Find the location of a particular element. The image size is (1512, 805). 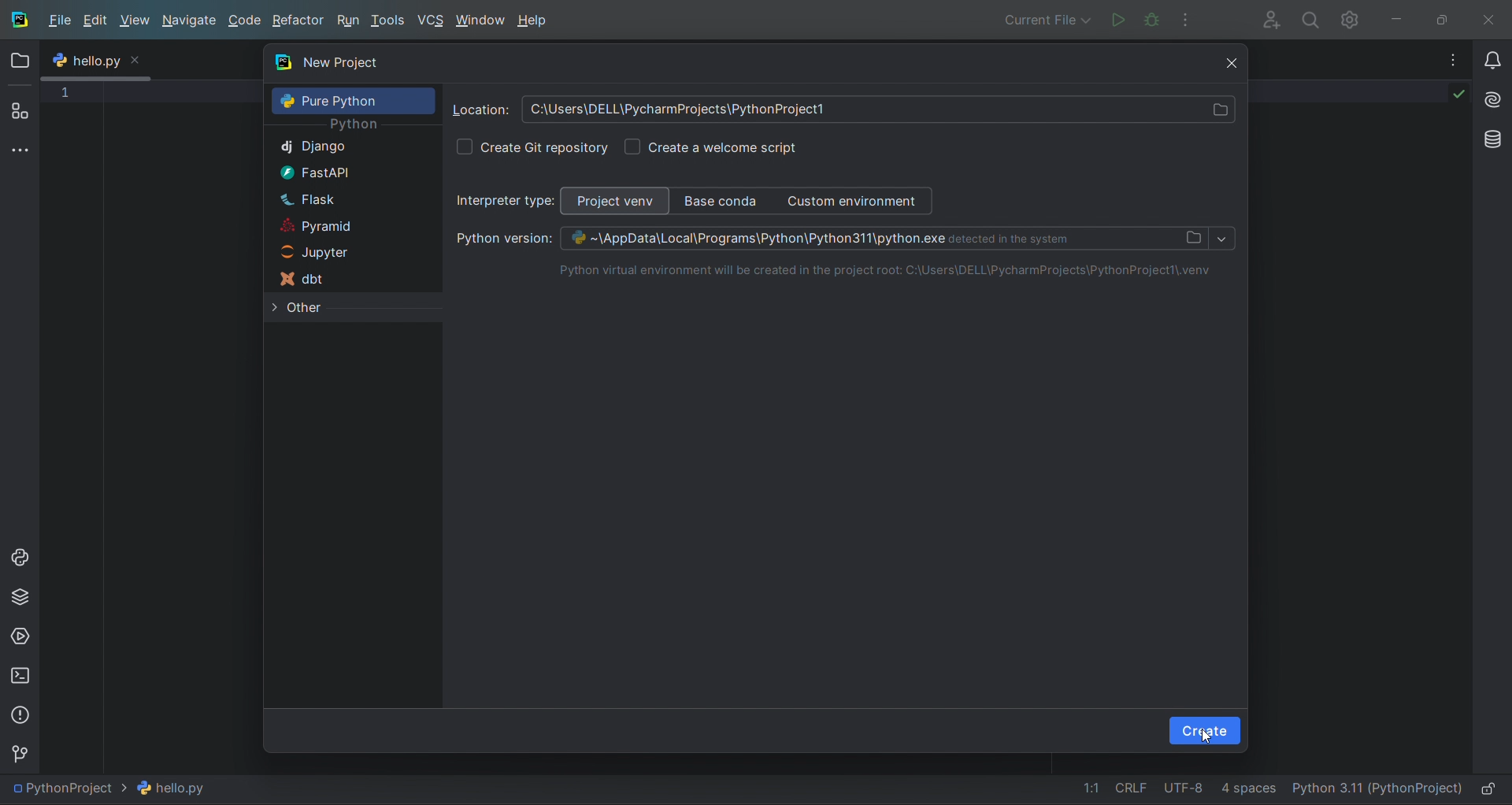

debug/run options is located at coordinates (1044, 18).